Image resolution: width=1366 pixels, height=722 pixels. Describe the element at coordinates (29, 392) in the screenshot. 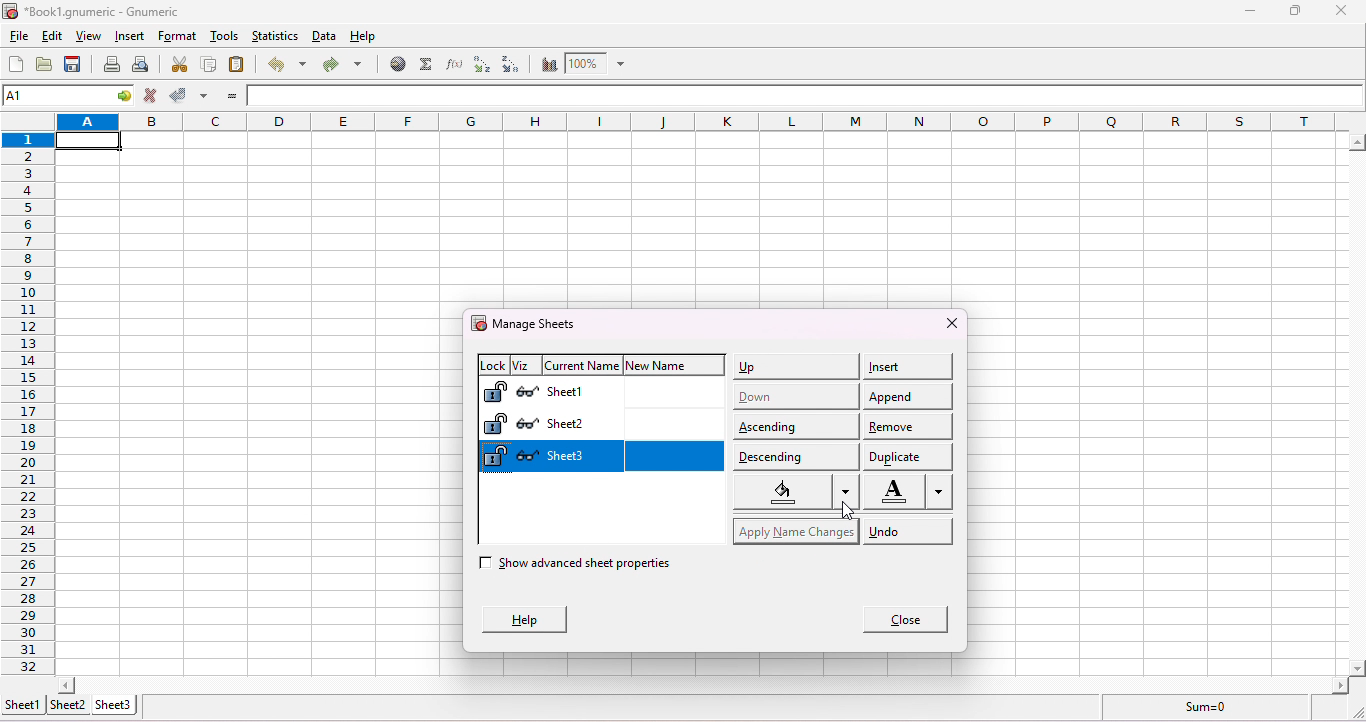

I see `rows` at that location.